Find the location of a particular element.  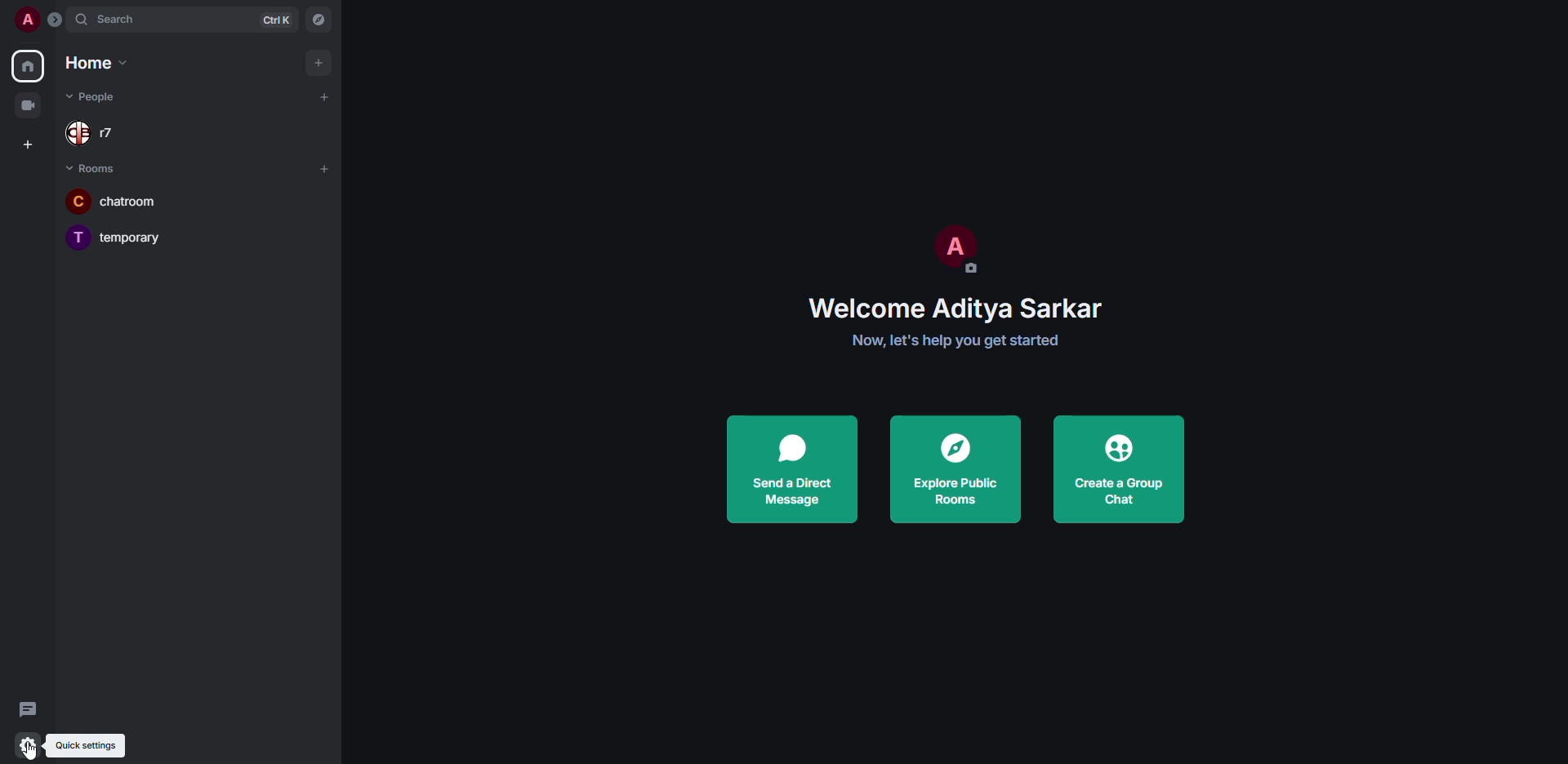

temporary is located at coordinates (119, 236).